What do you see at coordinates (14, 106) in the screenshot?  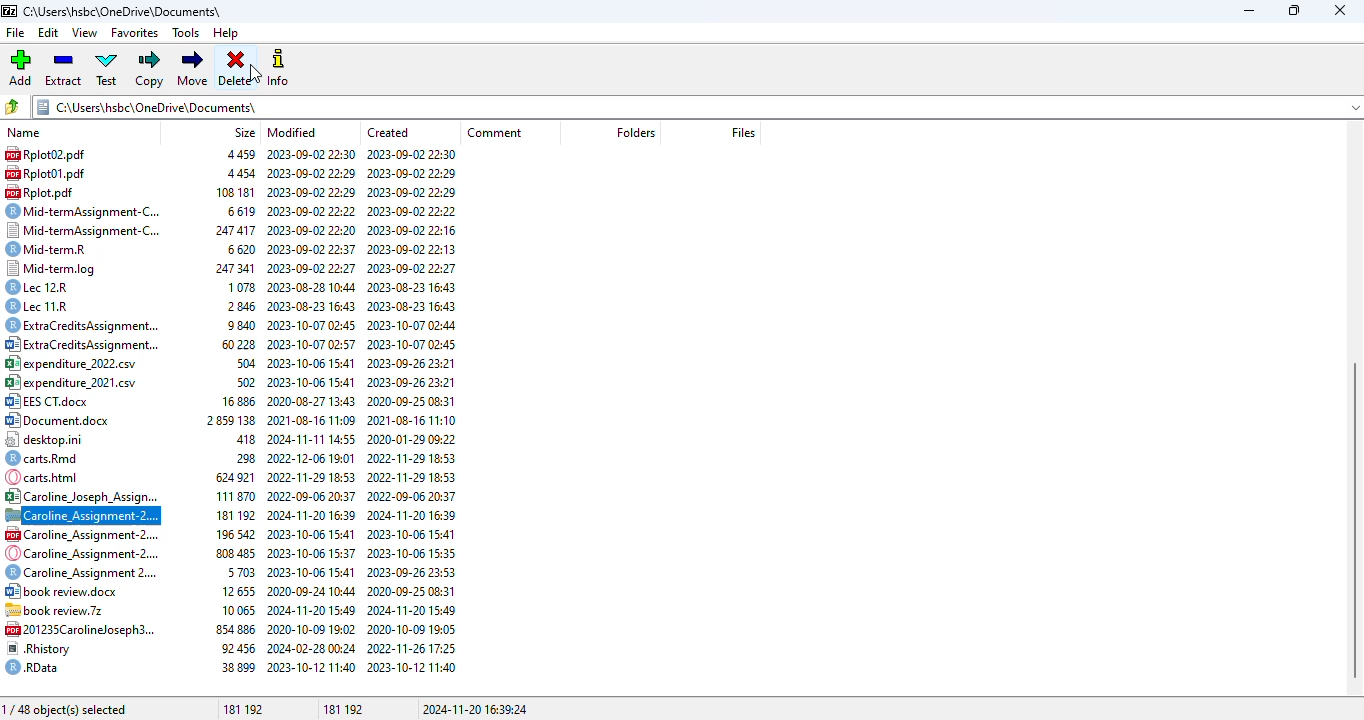 I see `browse files` at bounding box center [14, 106].